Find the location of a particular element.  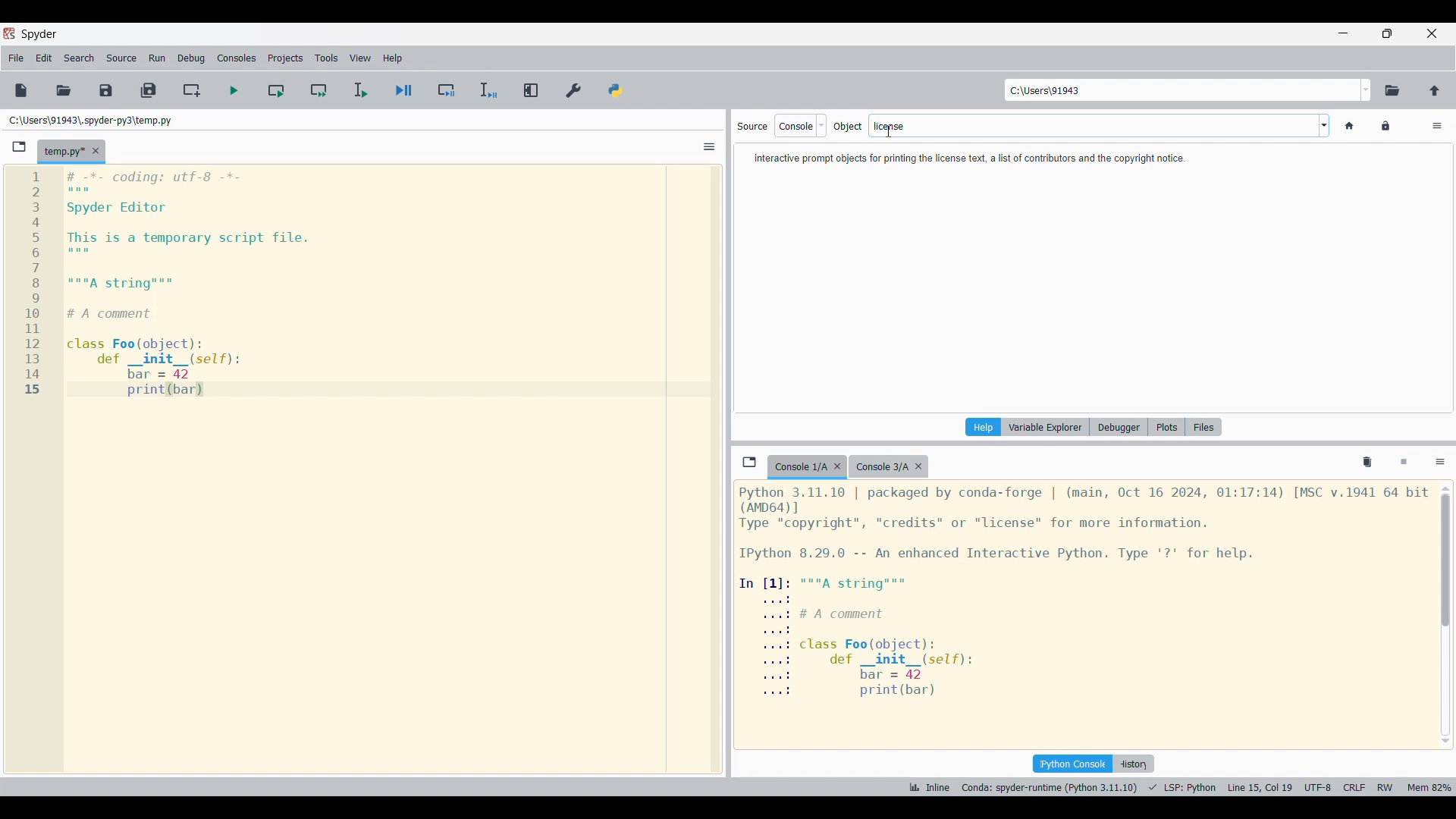

Plots is located at coordinates (1164, 428).